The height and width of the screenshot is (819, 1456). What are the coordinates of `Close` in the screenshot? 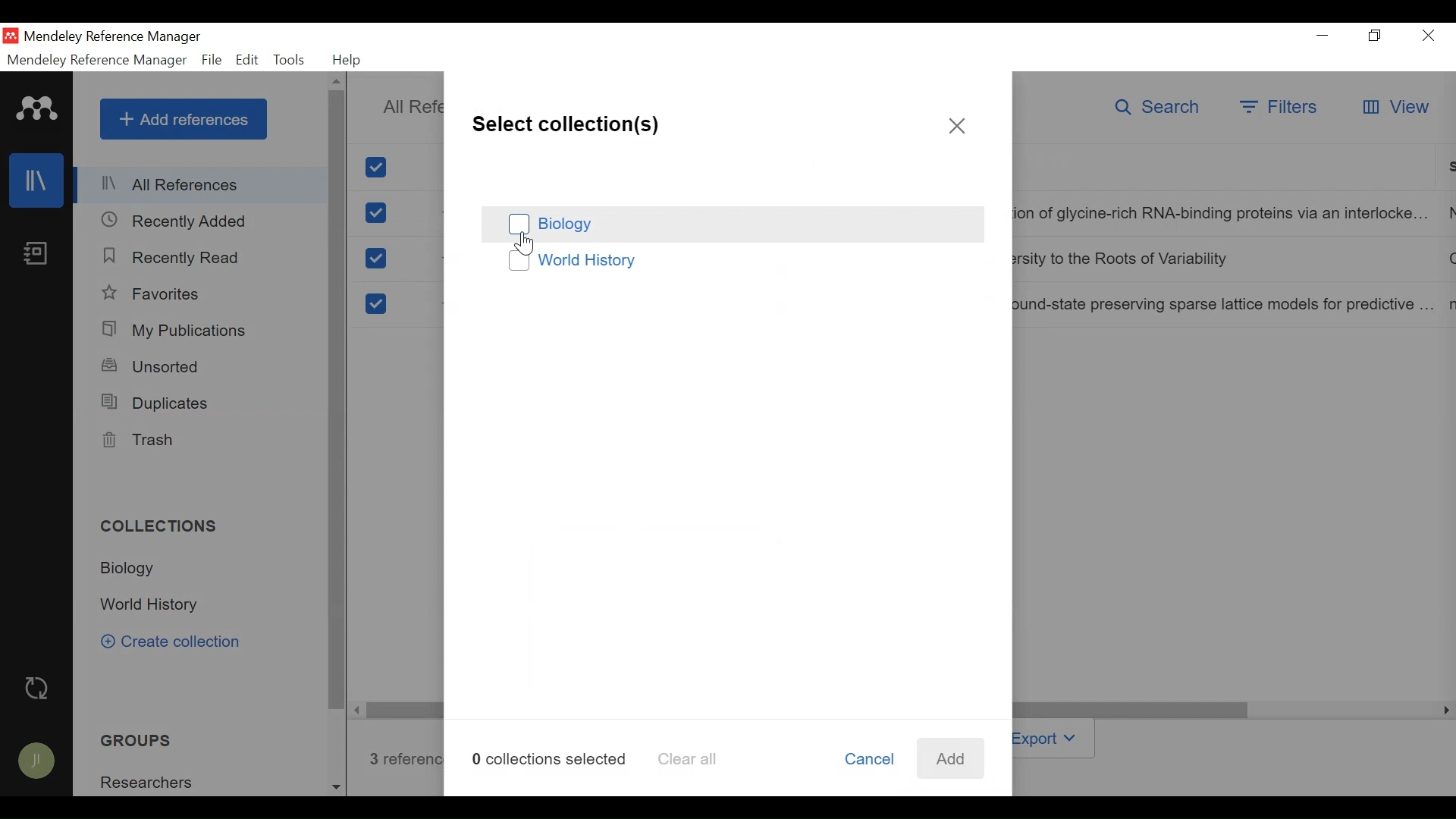 It's located at (958, 127).